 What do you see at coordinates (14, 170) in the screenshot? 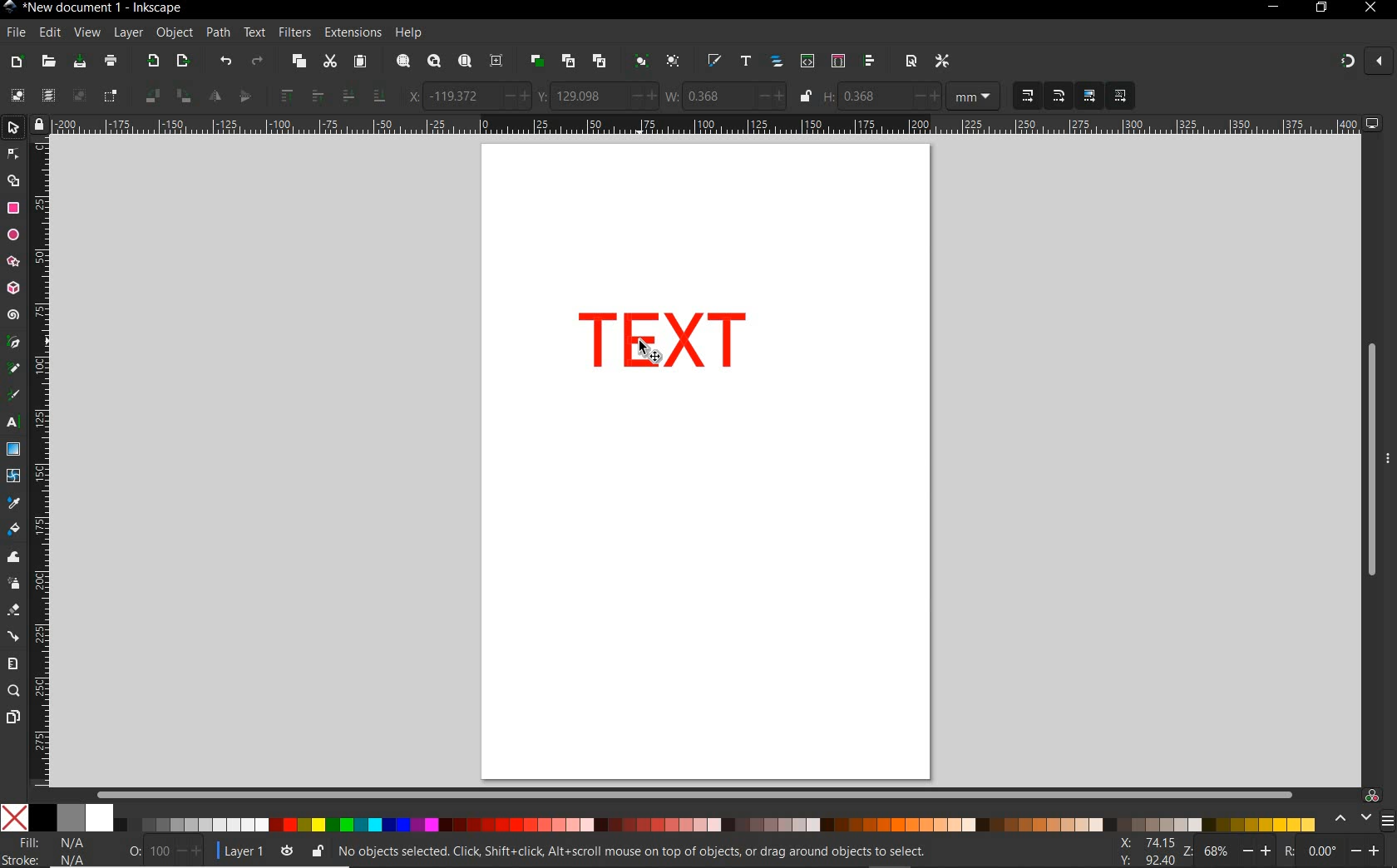
I see `SELECTOR TOOL` at bounding box center [14, 170].